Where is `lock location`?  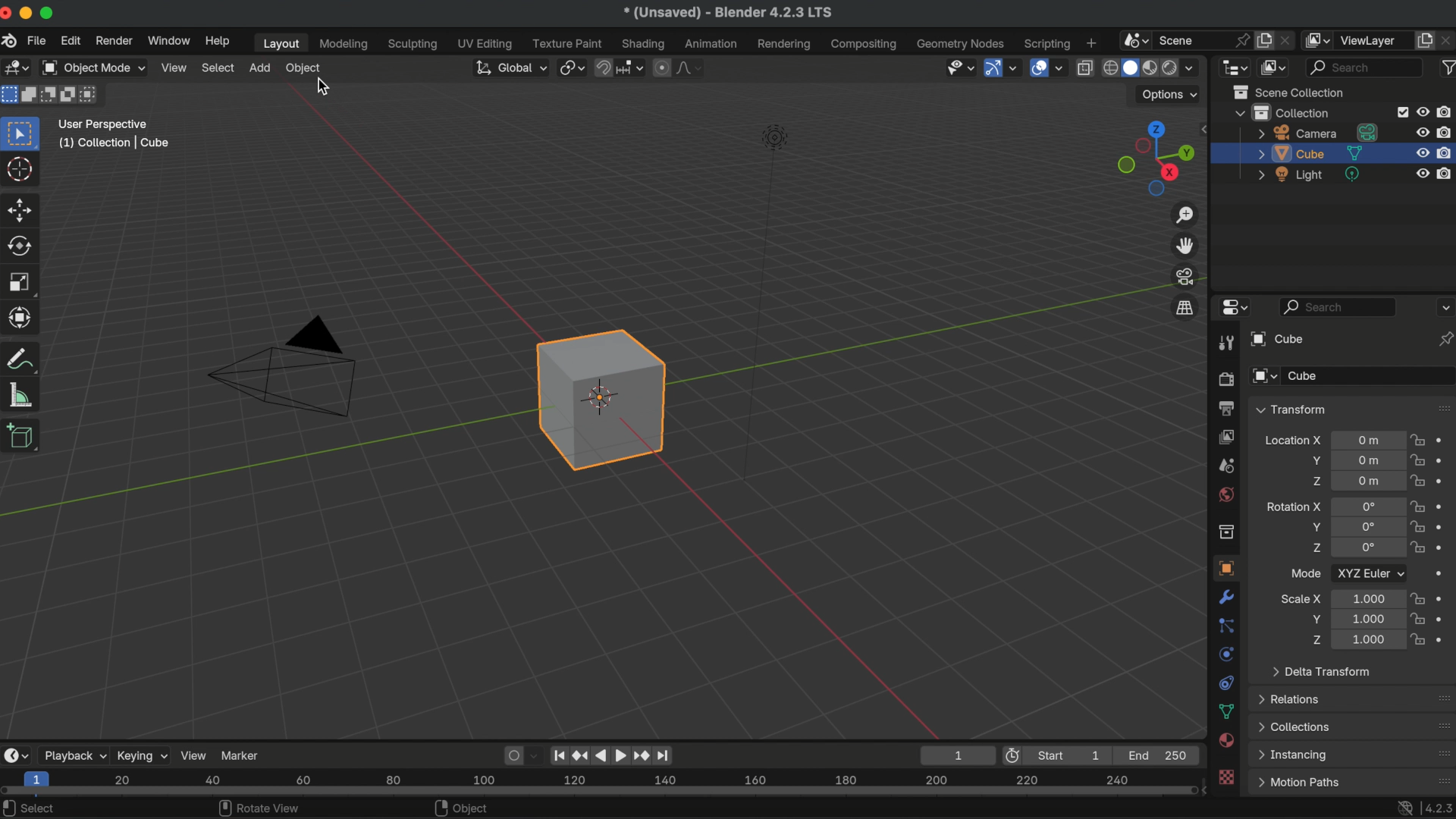
lock location is located at coordinates (1418, 460).